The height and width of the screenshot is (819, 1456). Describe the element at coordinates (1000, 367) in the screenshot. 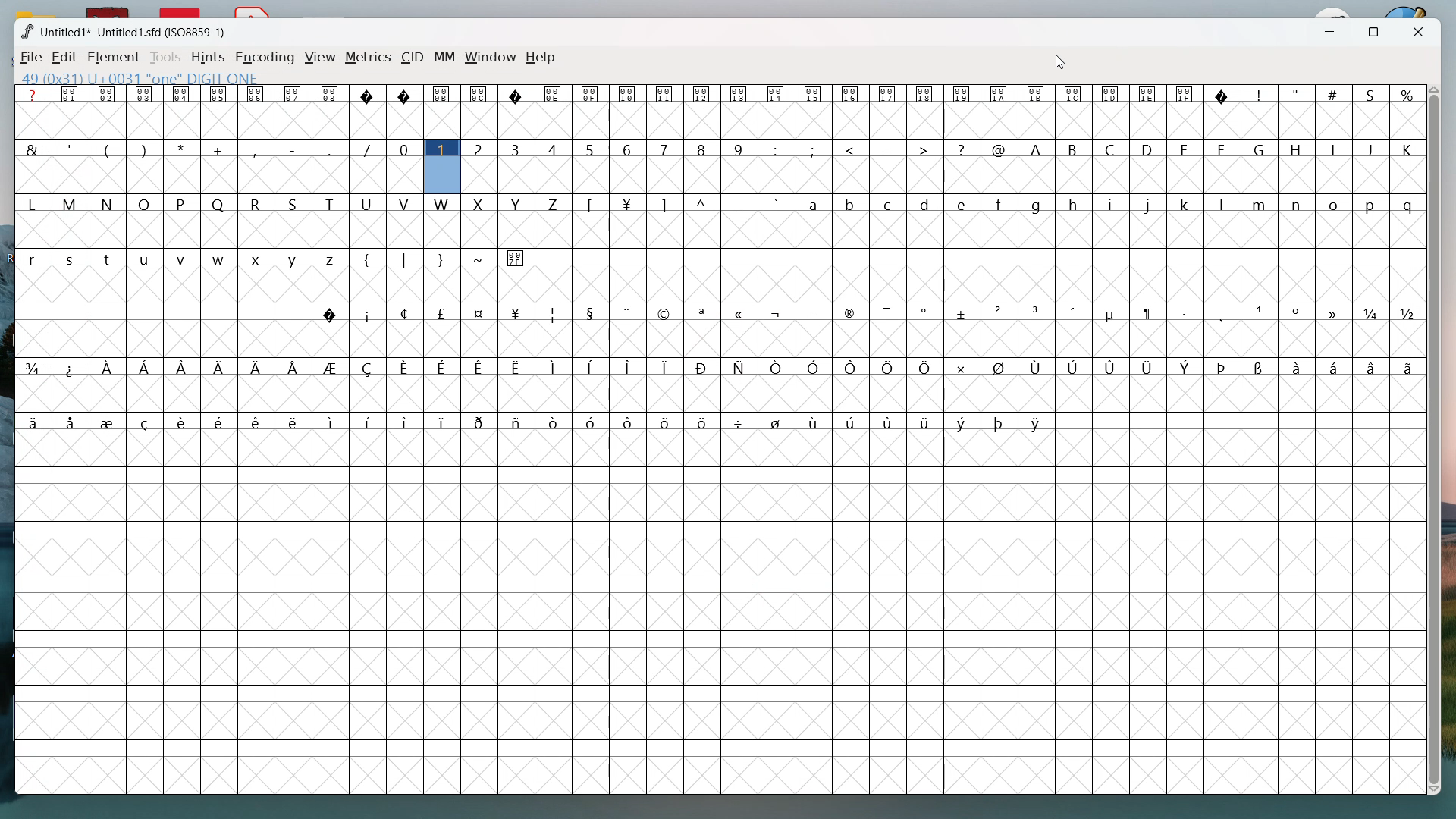

I see `symbol` at that location.